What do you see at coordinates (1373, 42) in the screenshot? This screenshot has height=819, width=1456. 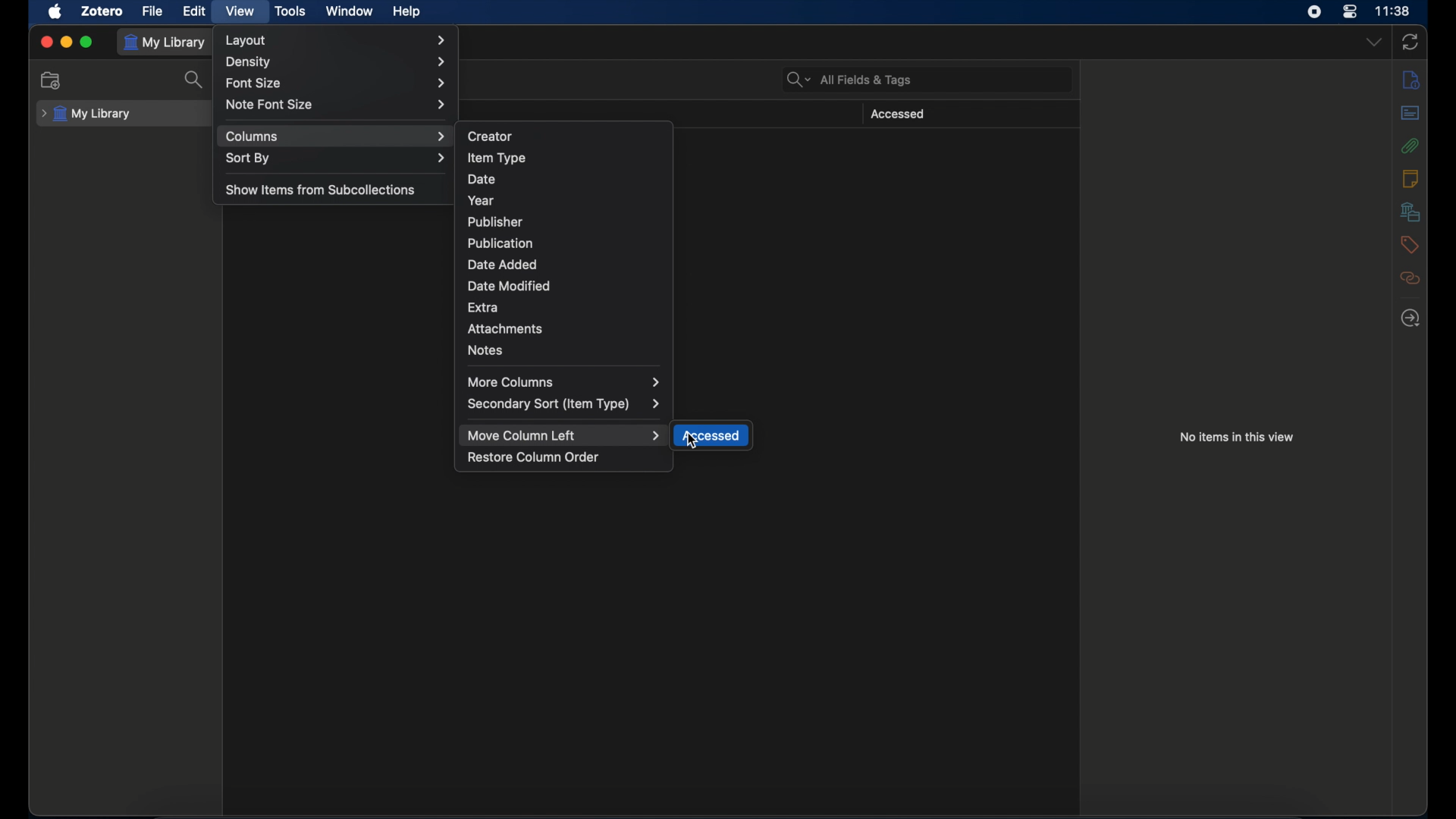 I see `dropdown` at bounding box center [1373, 42].